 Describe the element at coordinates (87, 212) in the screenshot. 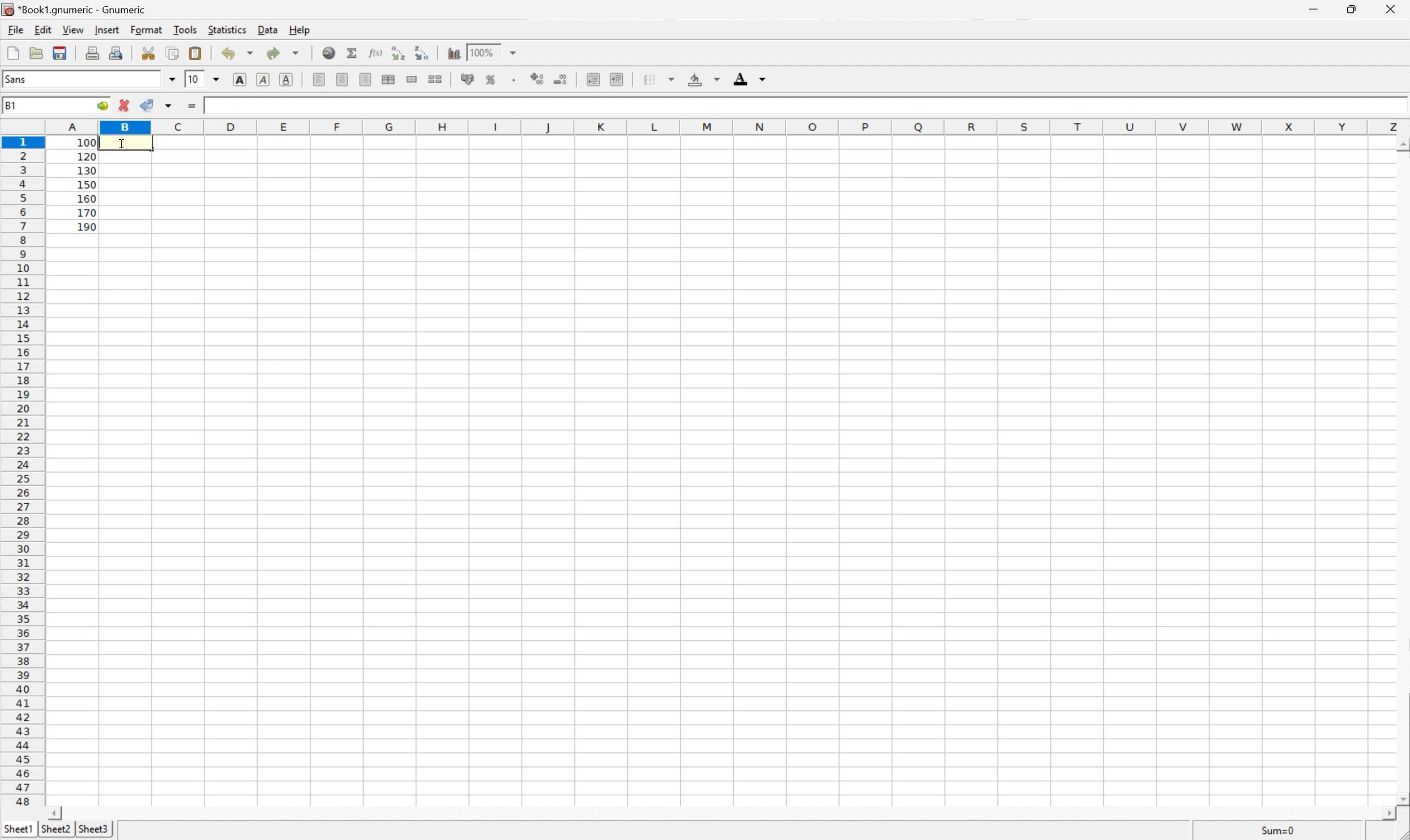

I see `170` at that location.